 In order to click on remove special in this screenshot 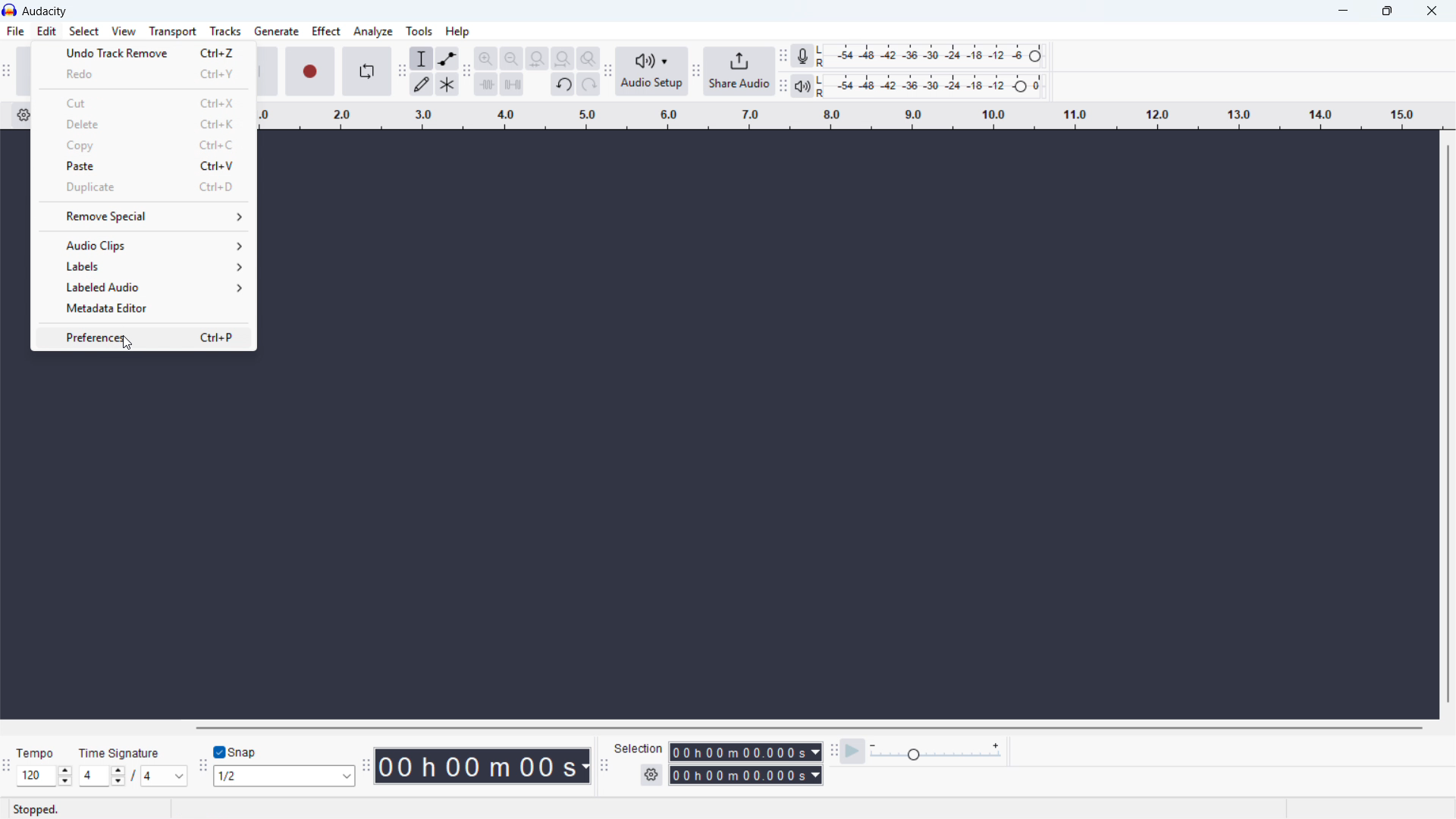, I will do `click(143, 216)`.